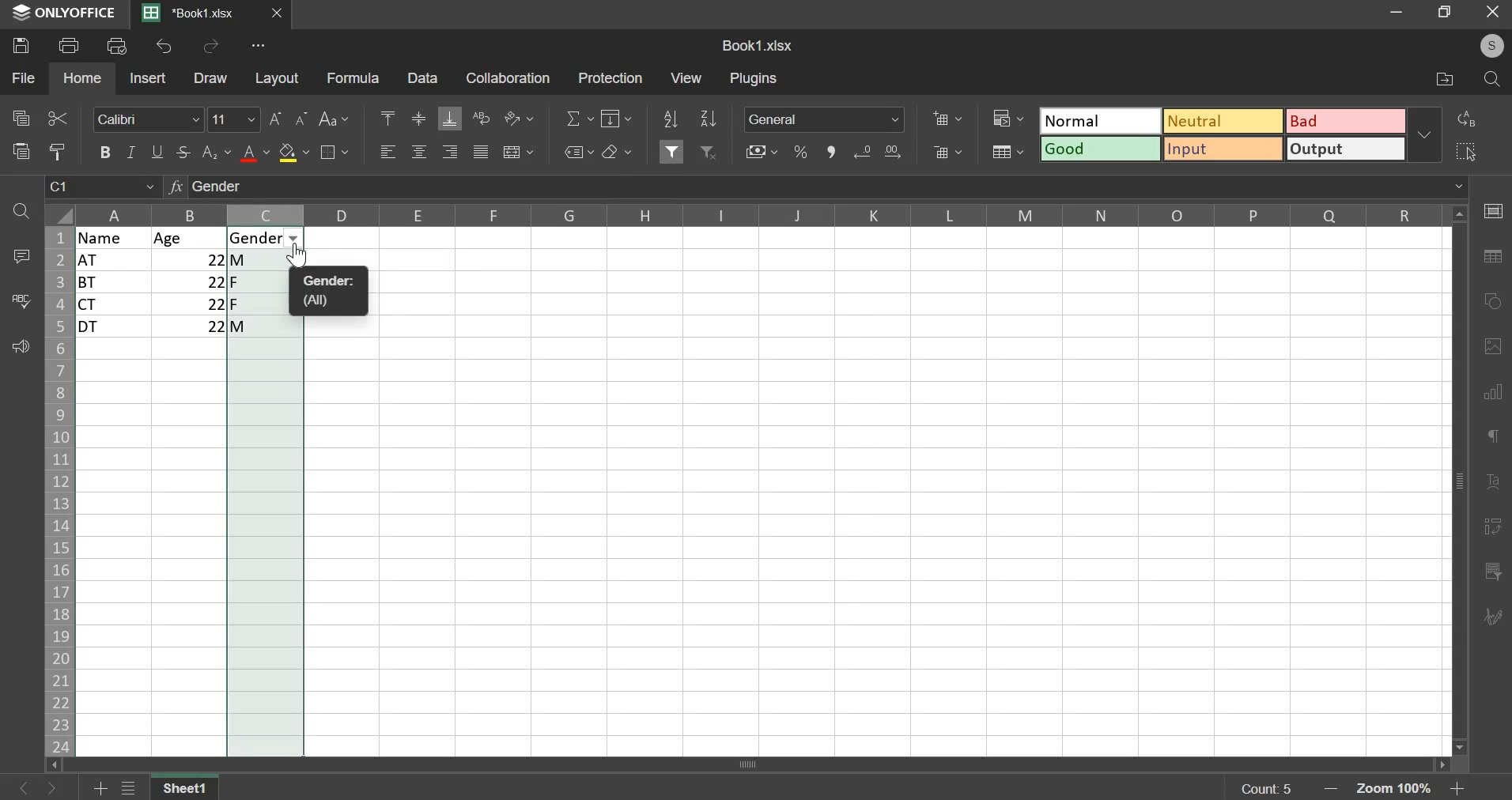  I want to click on delete cells, so click(946, 152).